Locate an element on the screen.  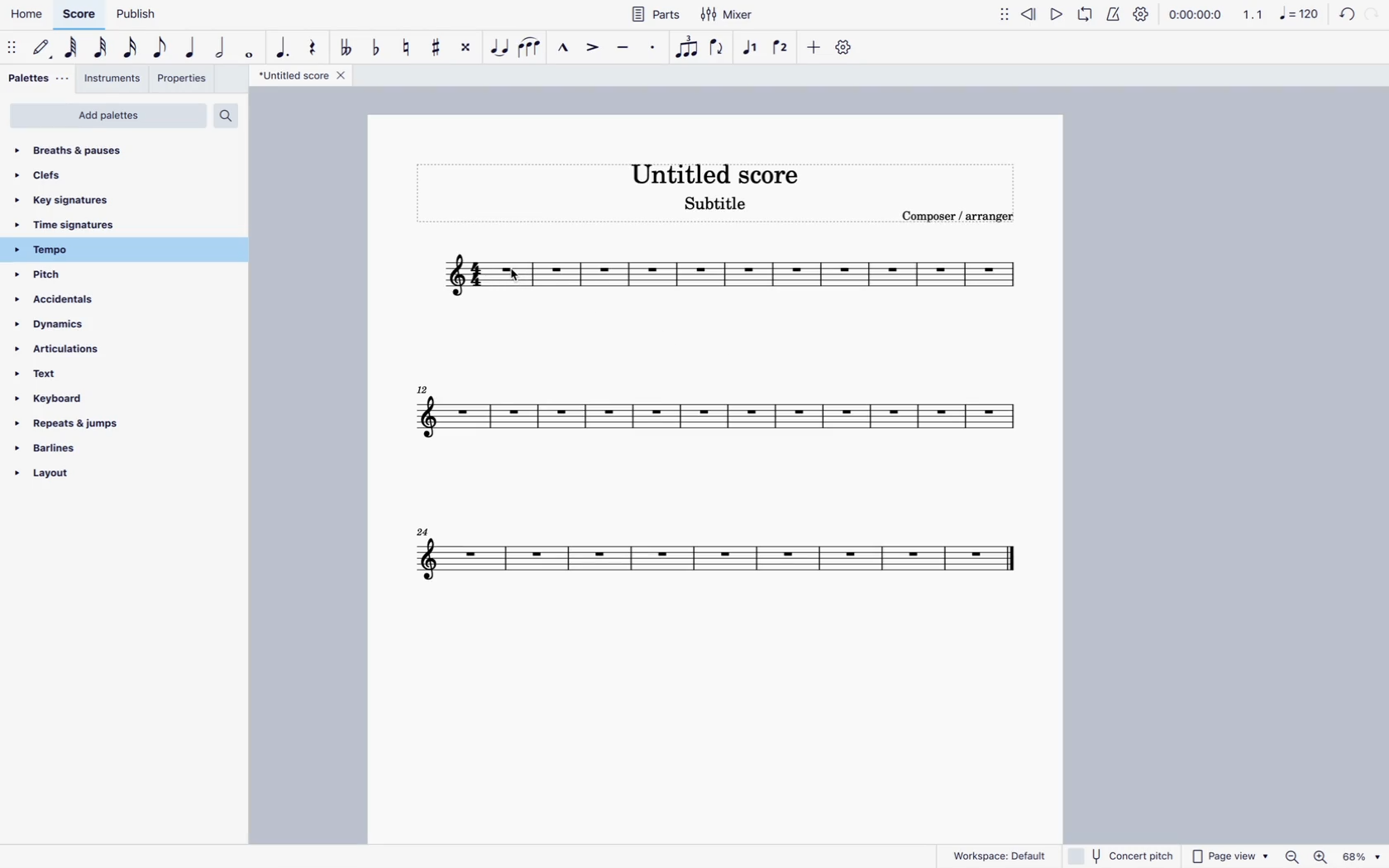
home is located at coordinates (29, 13).